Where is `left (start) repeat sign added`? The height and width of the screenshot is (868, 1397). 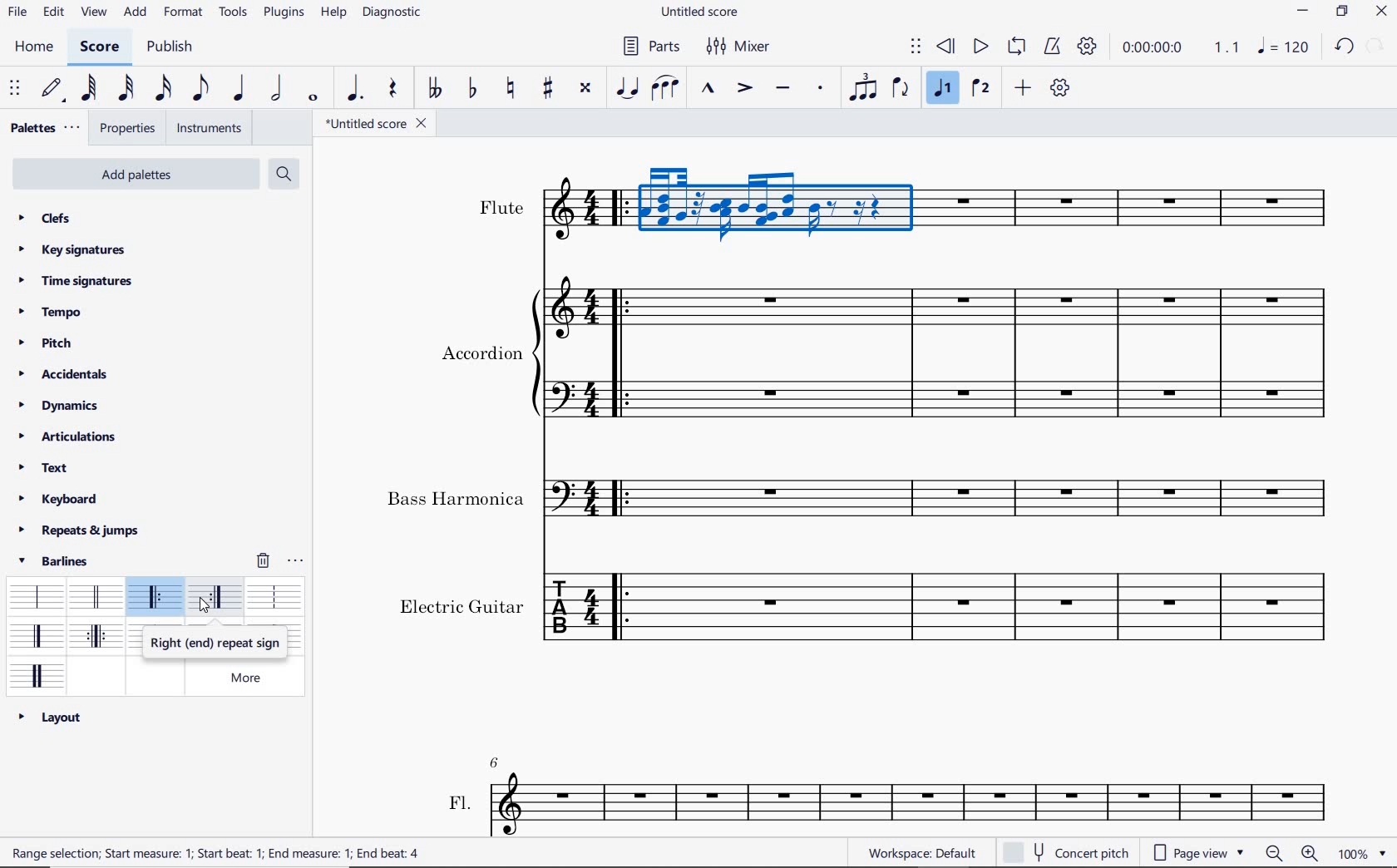 left (start) repeat sign added is located at coordinates (621, 496).